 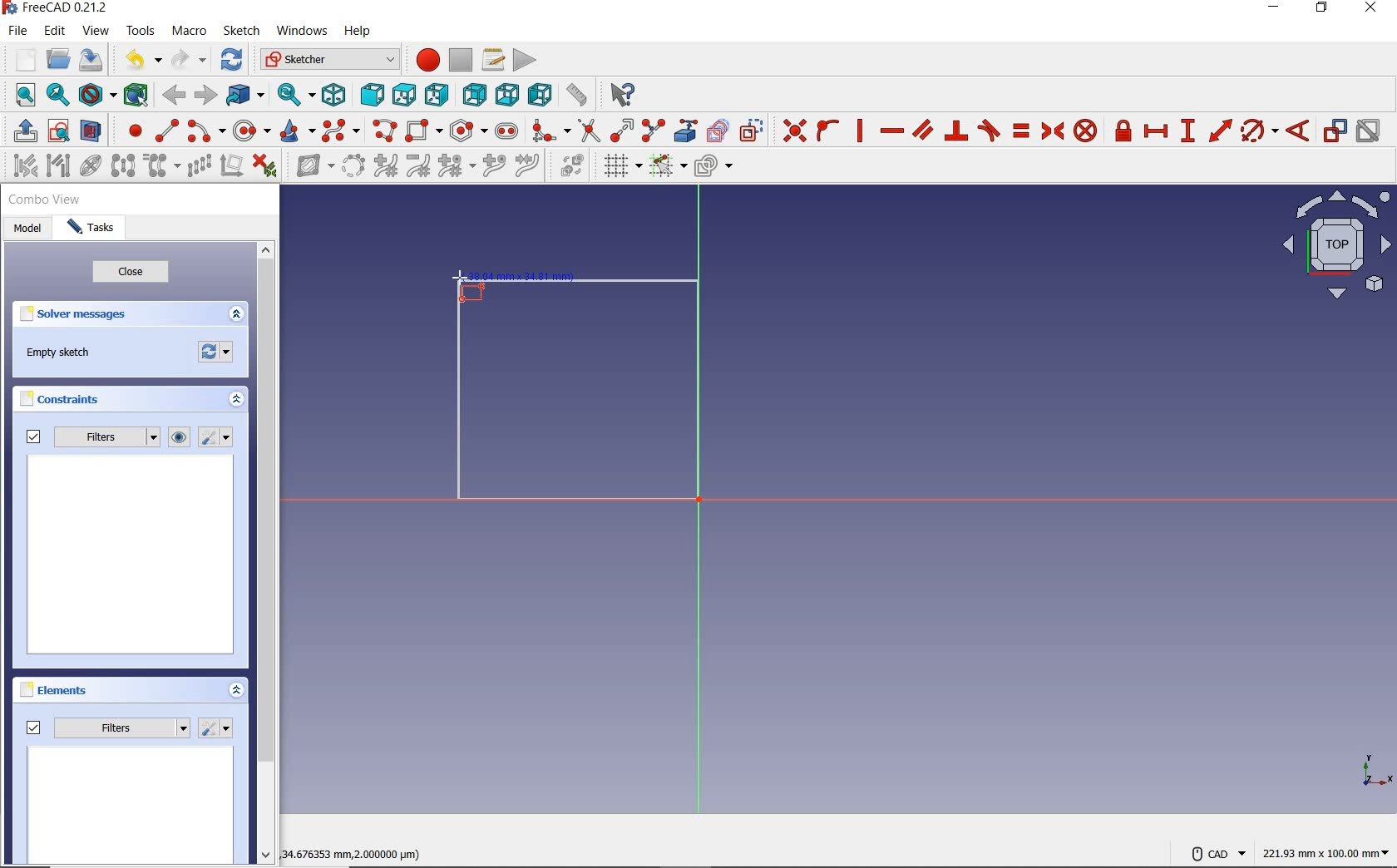 What do you see at coordinates (1219, 131) in the screenshot?
I see `constrain distance` at bounding box center [1219, 131].